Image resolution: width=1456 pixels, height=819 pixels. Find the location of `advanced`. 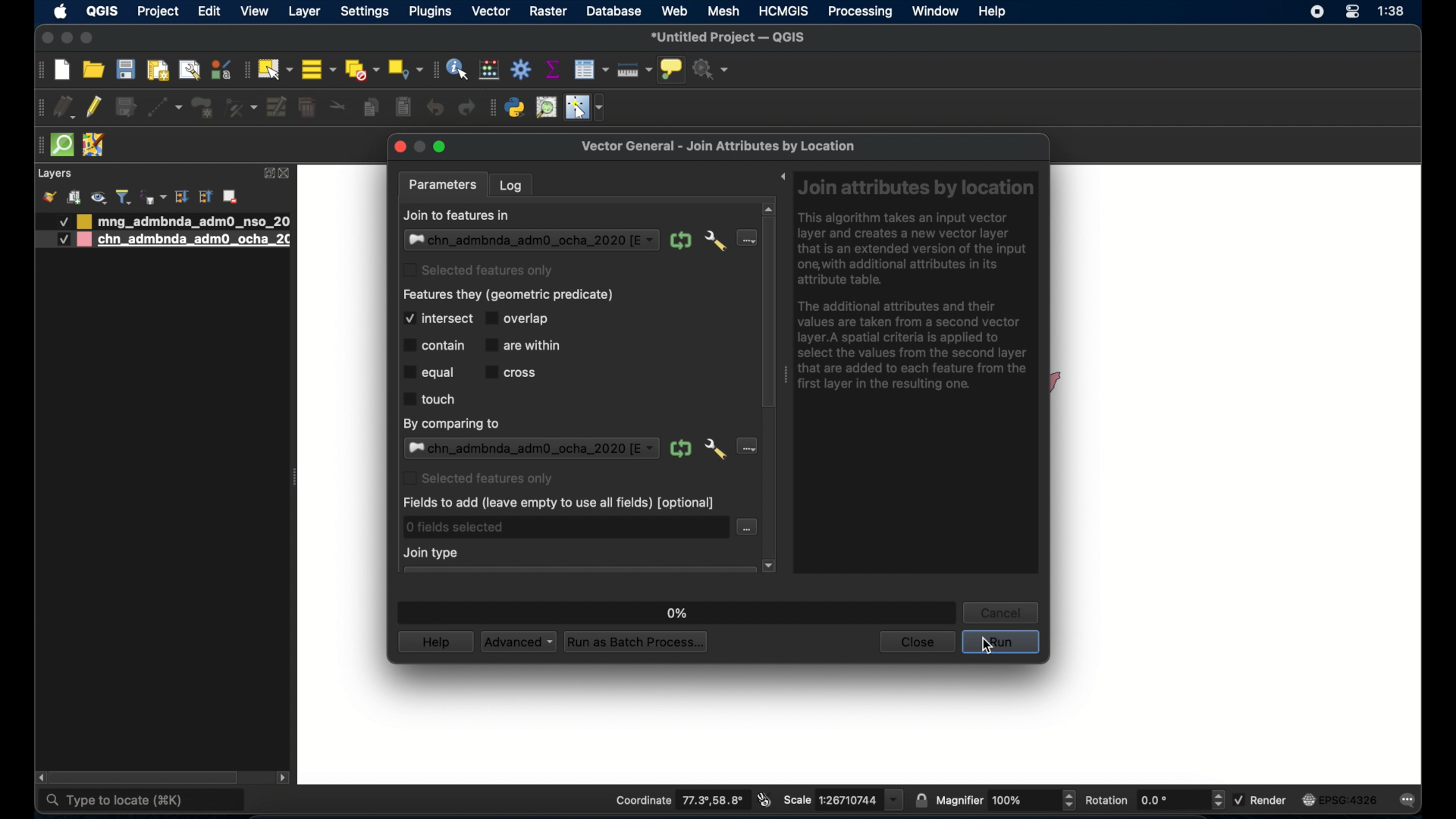

advanced is located at coordinates (519, 642).